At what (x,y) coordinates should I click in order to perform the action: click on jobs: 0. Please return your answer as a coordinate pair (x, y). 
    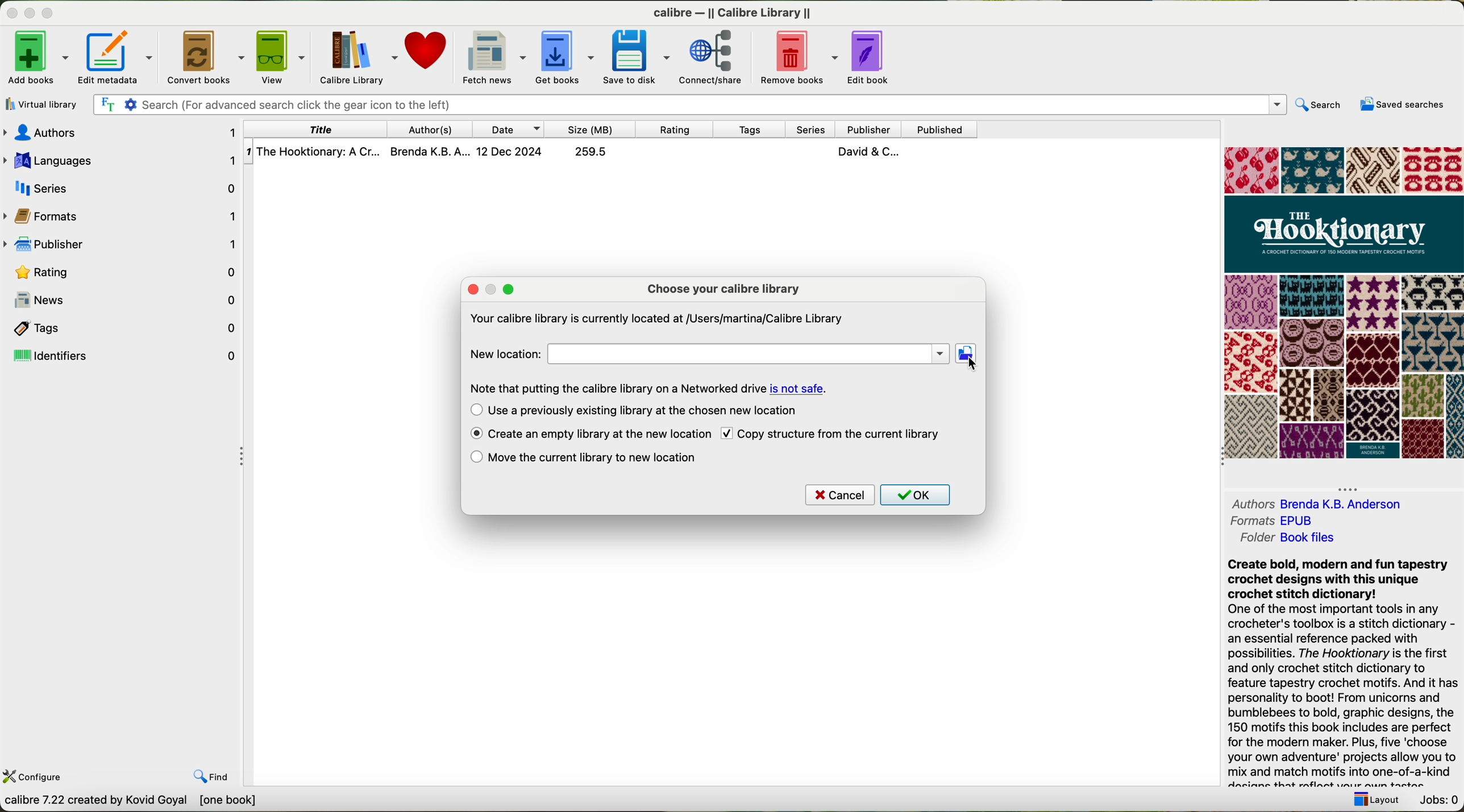
    Looking at the image, I should click on (1441, 801).